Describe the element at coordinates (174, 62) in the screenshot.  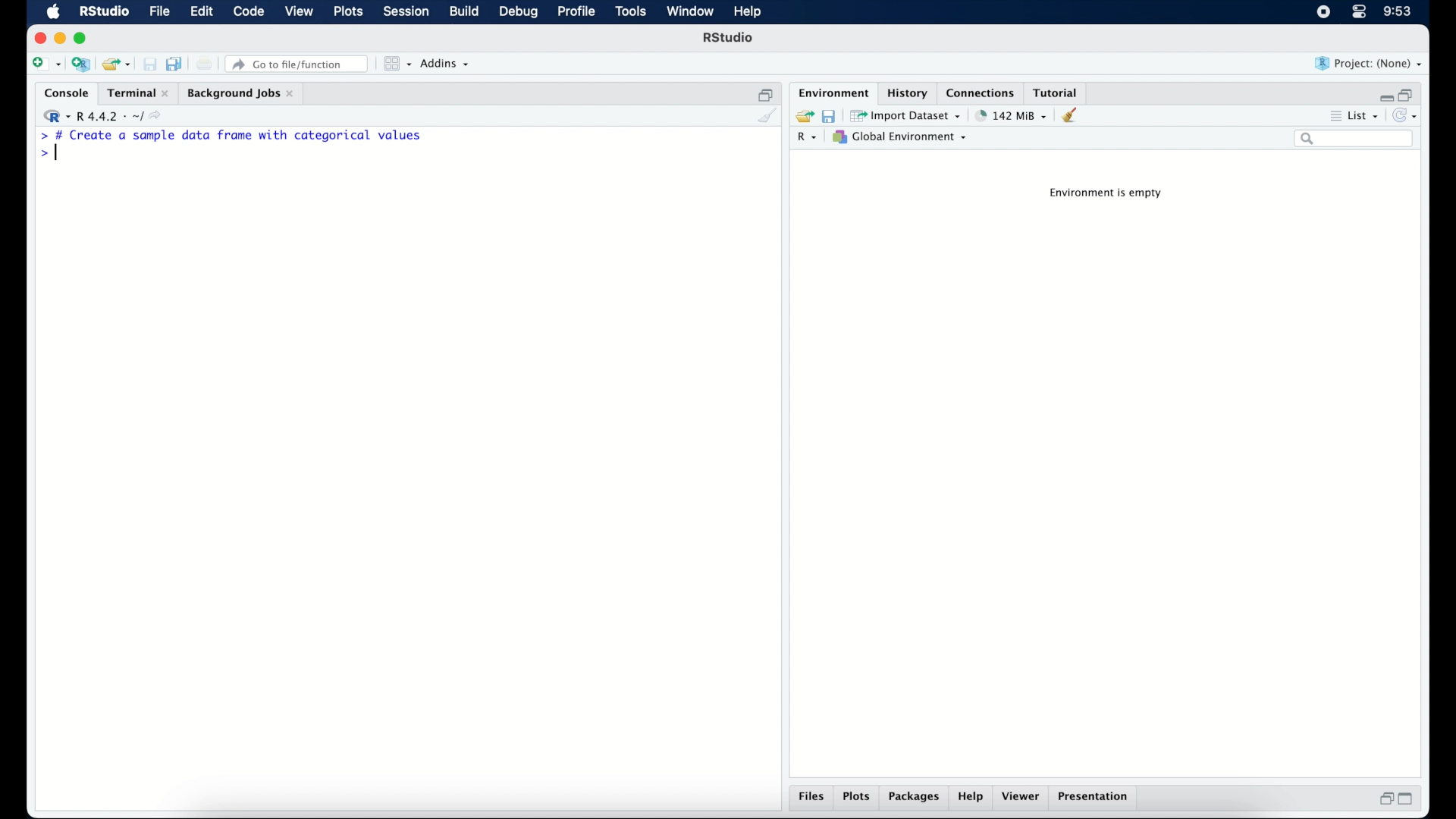
I see `save all open documents` at that location.